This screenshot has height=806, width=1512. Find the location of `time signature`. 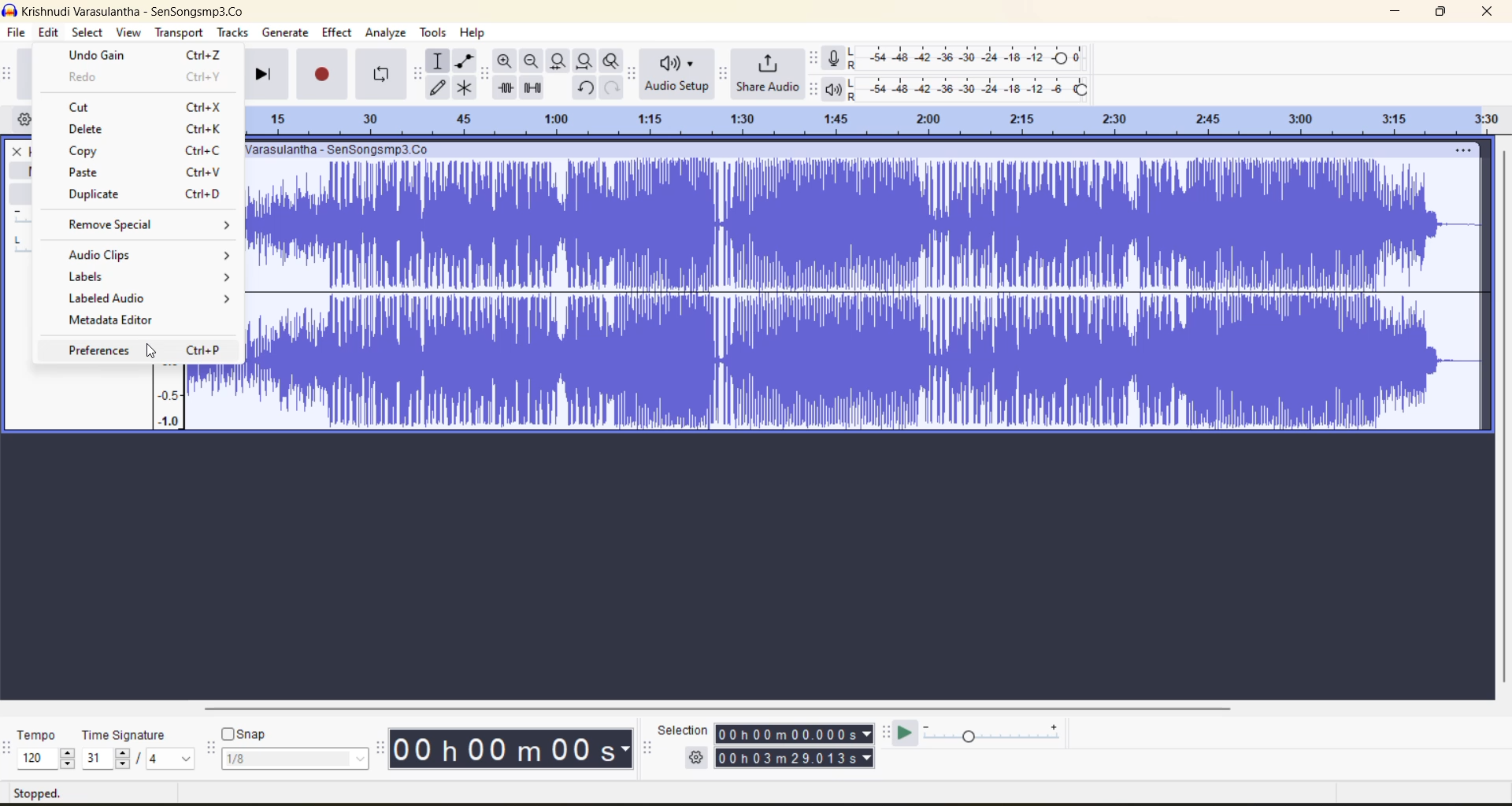

time signature is located at coordinates (139, 749).